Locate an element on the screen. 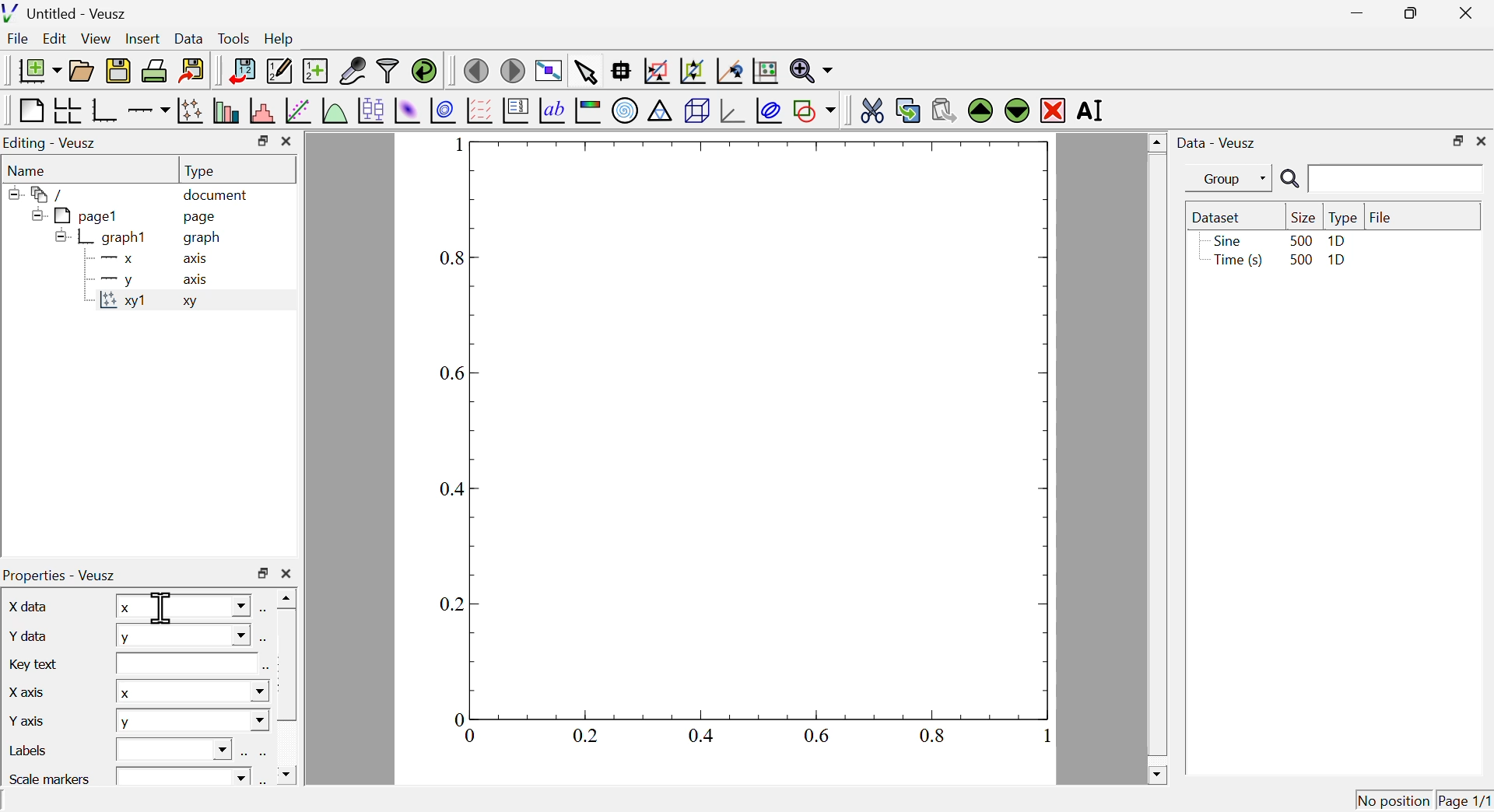  view is located at coordinates (97, 38).